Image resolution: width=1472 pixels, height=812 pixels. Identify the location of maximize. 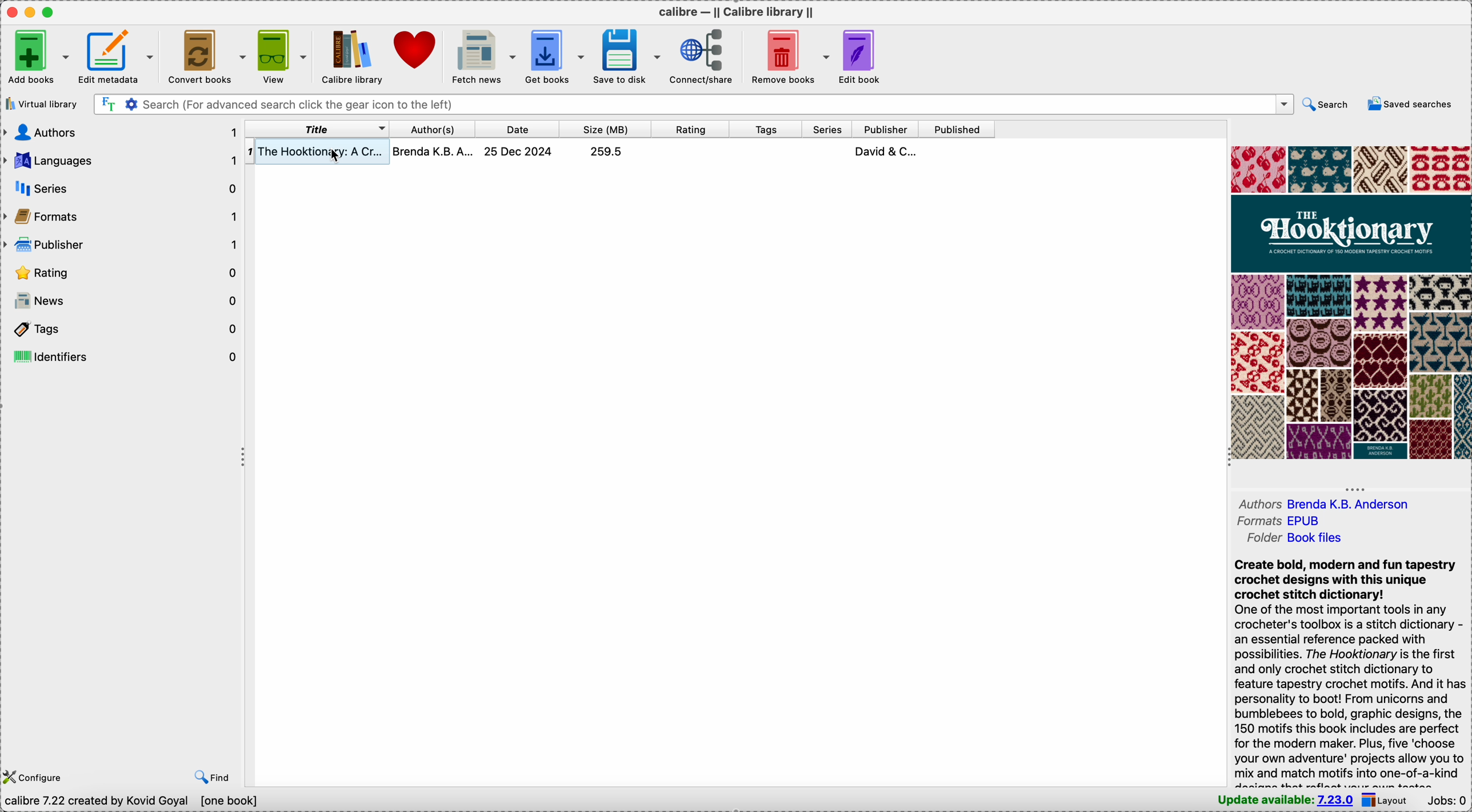
(51, 12).